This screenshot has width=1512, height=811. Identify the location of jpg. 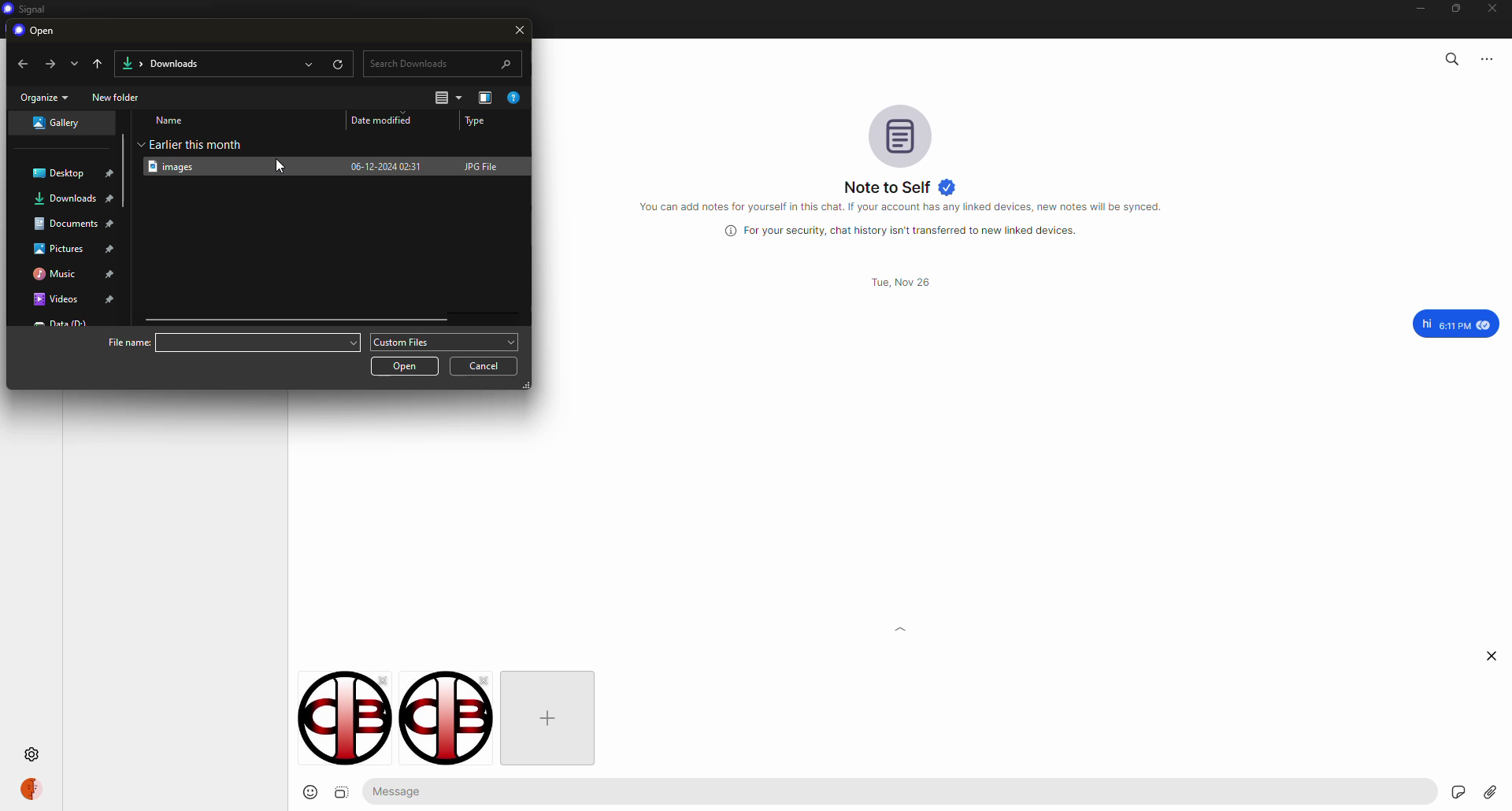
(484, 165).